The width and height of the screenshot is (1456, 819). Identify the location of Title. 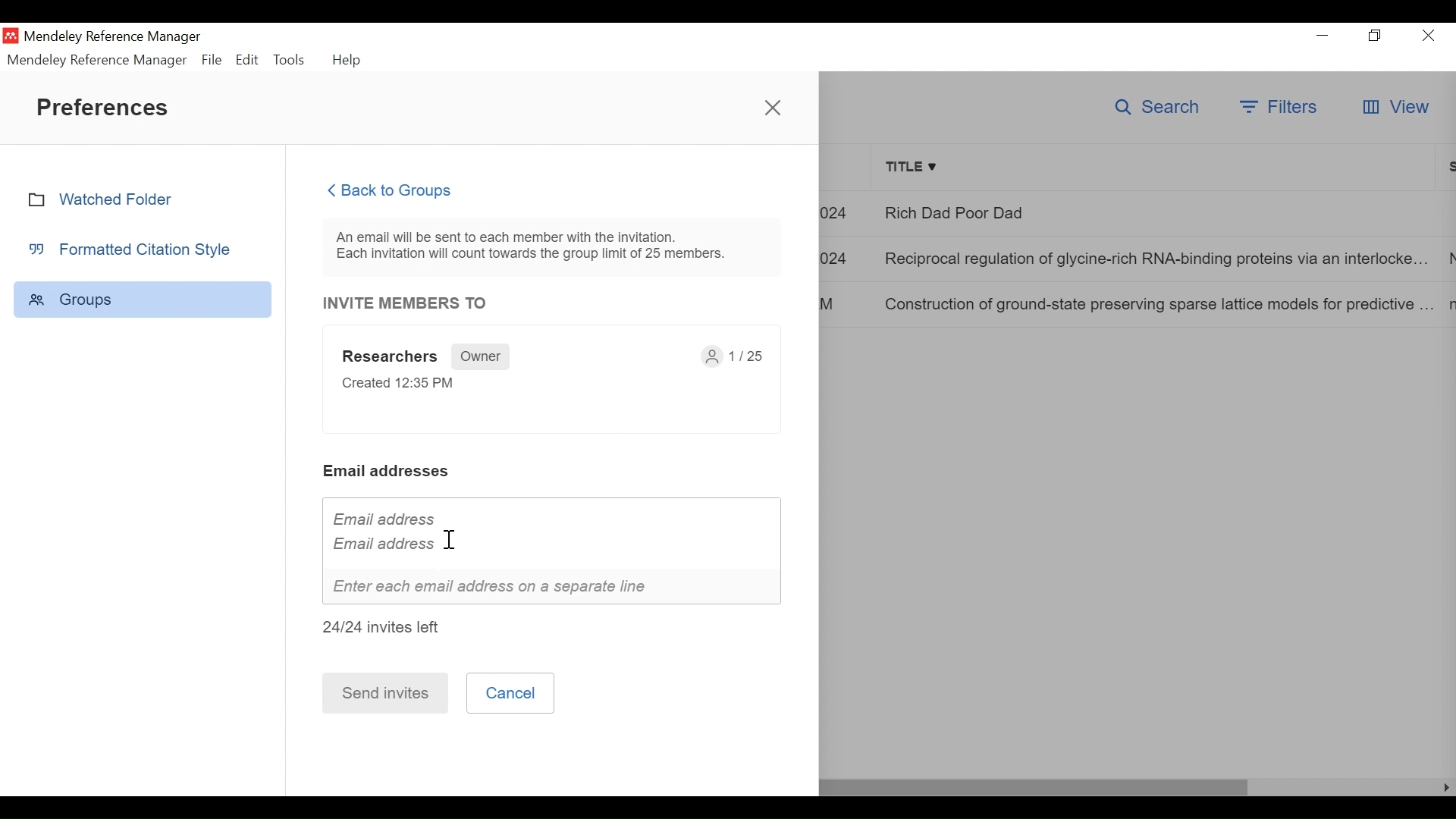
(1156, 168).